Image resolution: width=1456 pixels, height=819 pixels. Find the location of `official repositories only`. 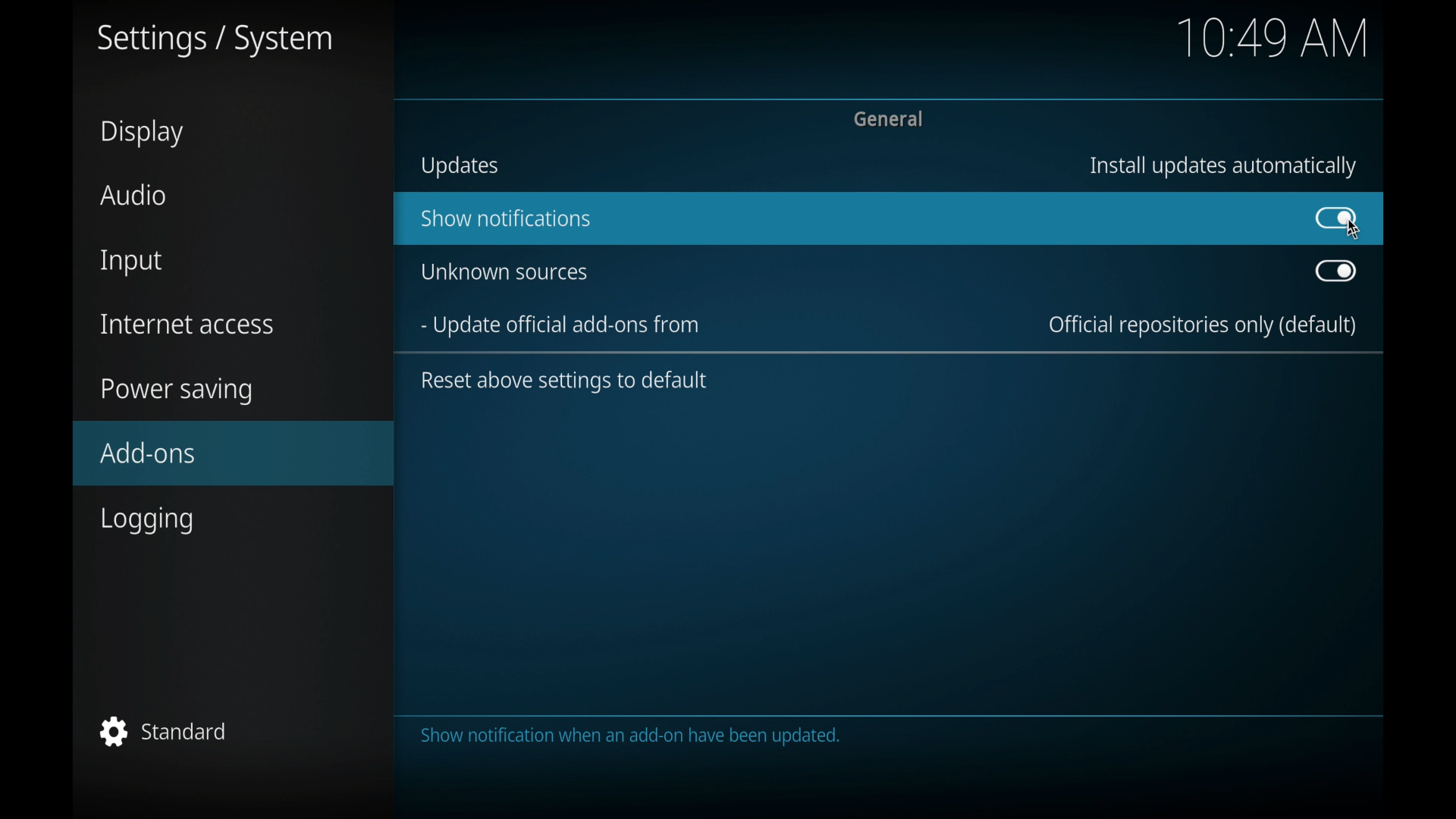

official repositories only is located at coordinates (1203, 327).